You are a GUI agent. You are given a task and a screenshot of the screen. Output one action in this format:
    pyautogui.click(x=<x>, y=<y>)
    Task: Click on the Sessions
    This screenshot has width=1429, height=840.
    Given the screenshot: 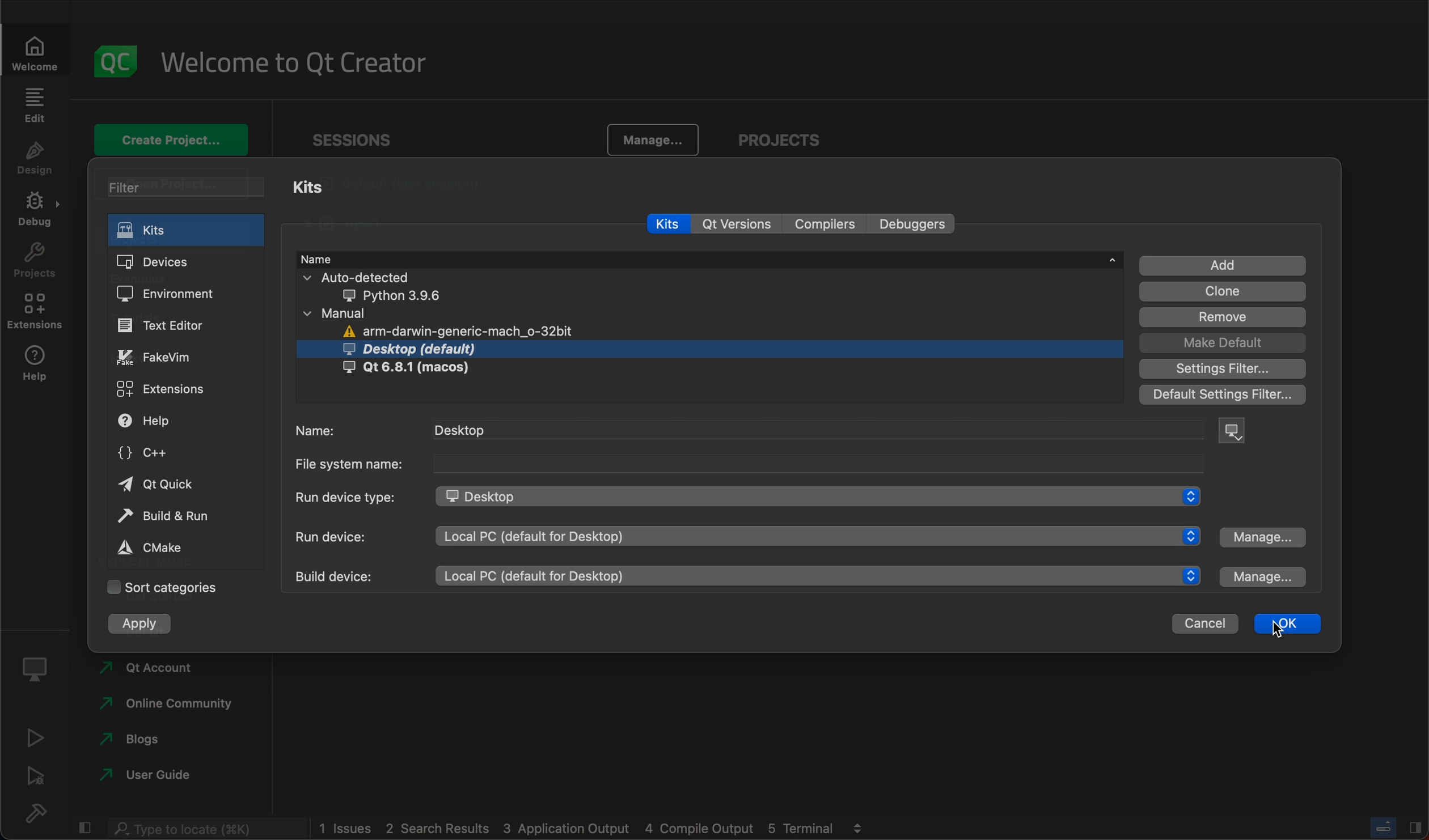 What is the action you would take?
    pyautogui.click(x=366, y=137)
    